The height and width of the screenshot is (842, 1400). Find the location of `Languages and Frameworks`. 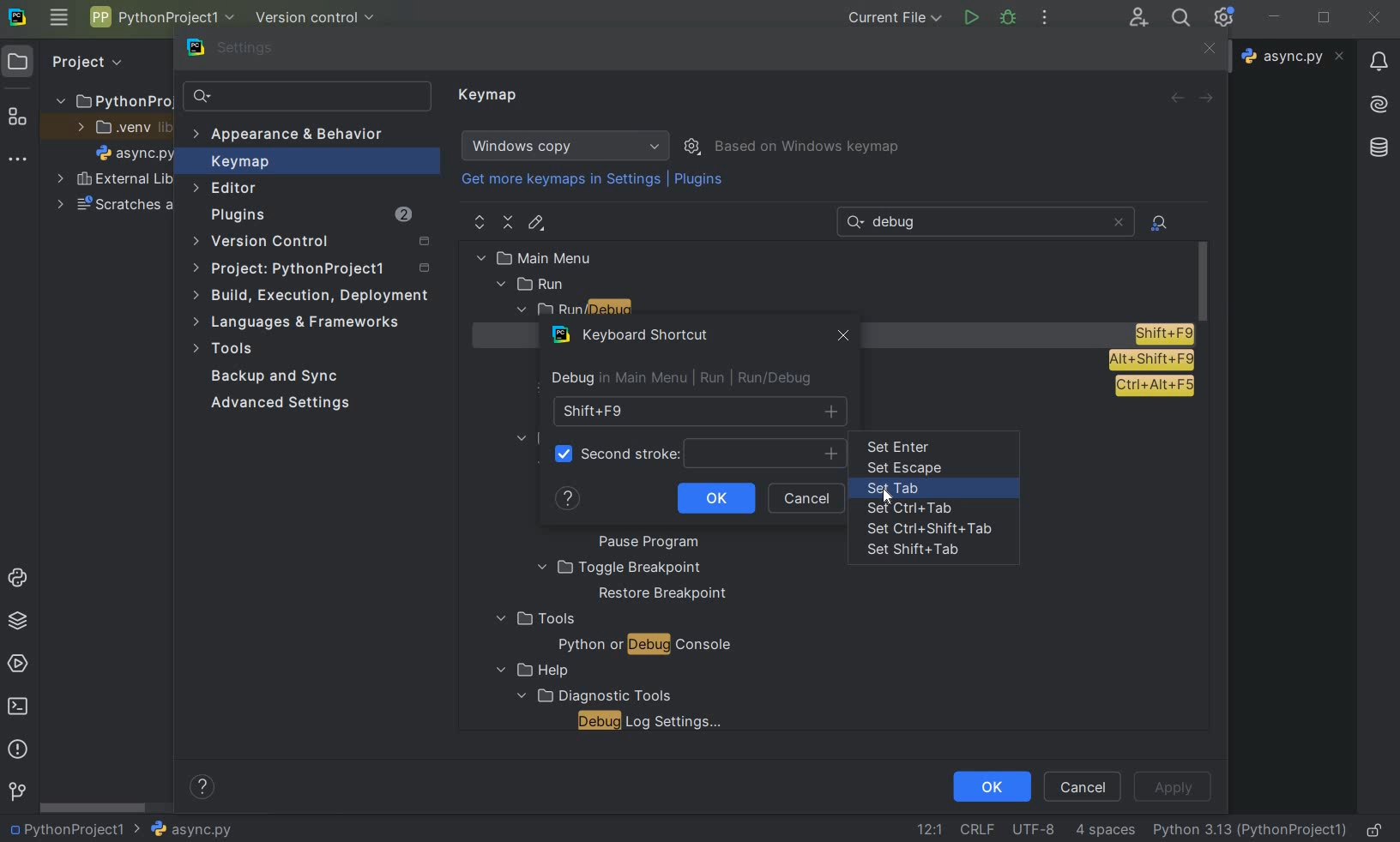

Languages and Frameworks is located at coordinates (302, 322).